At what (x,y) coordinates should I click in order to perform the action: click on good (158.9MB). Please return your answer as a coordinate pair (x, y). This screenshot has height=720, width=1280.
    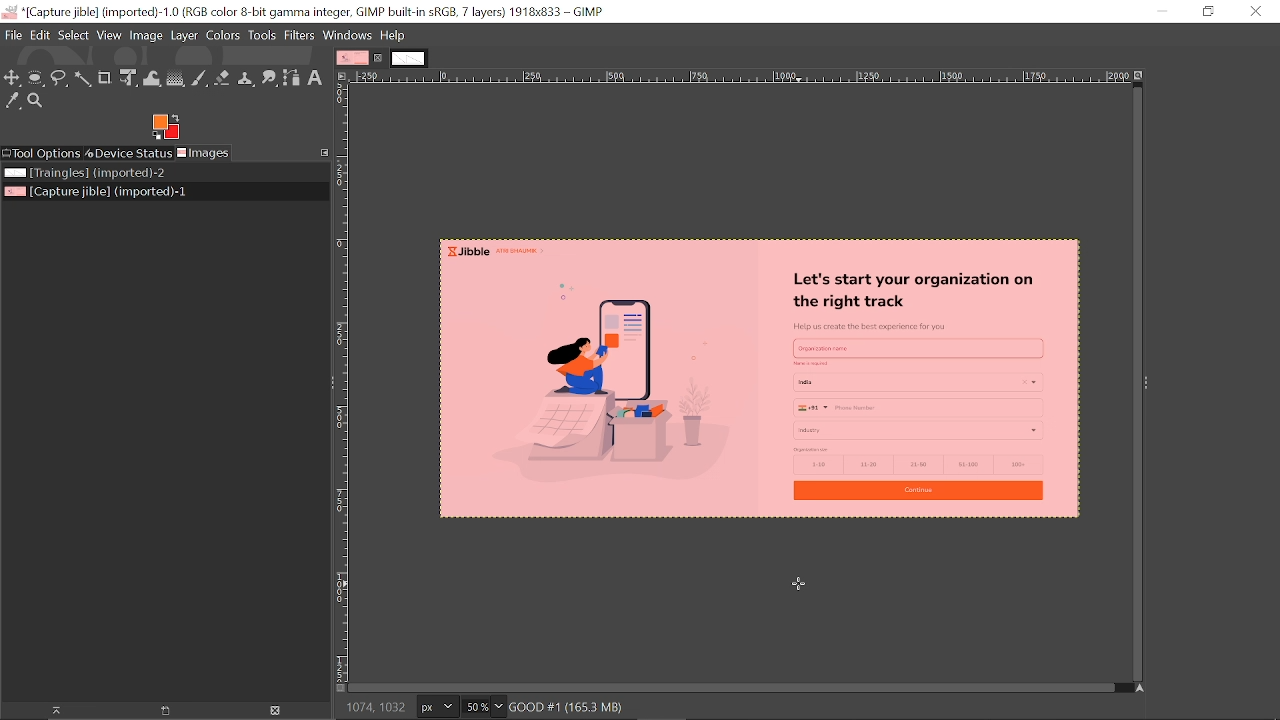
    Looking at the image, I should click on (585, 705).